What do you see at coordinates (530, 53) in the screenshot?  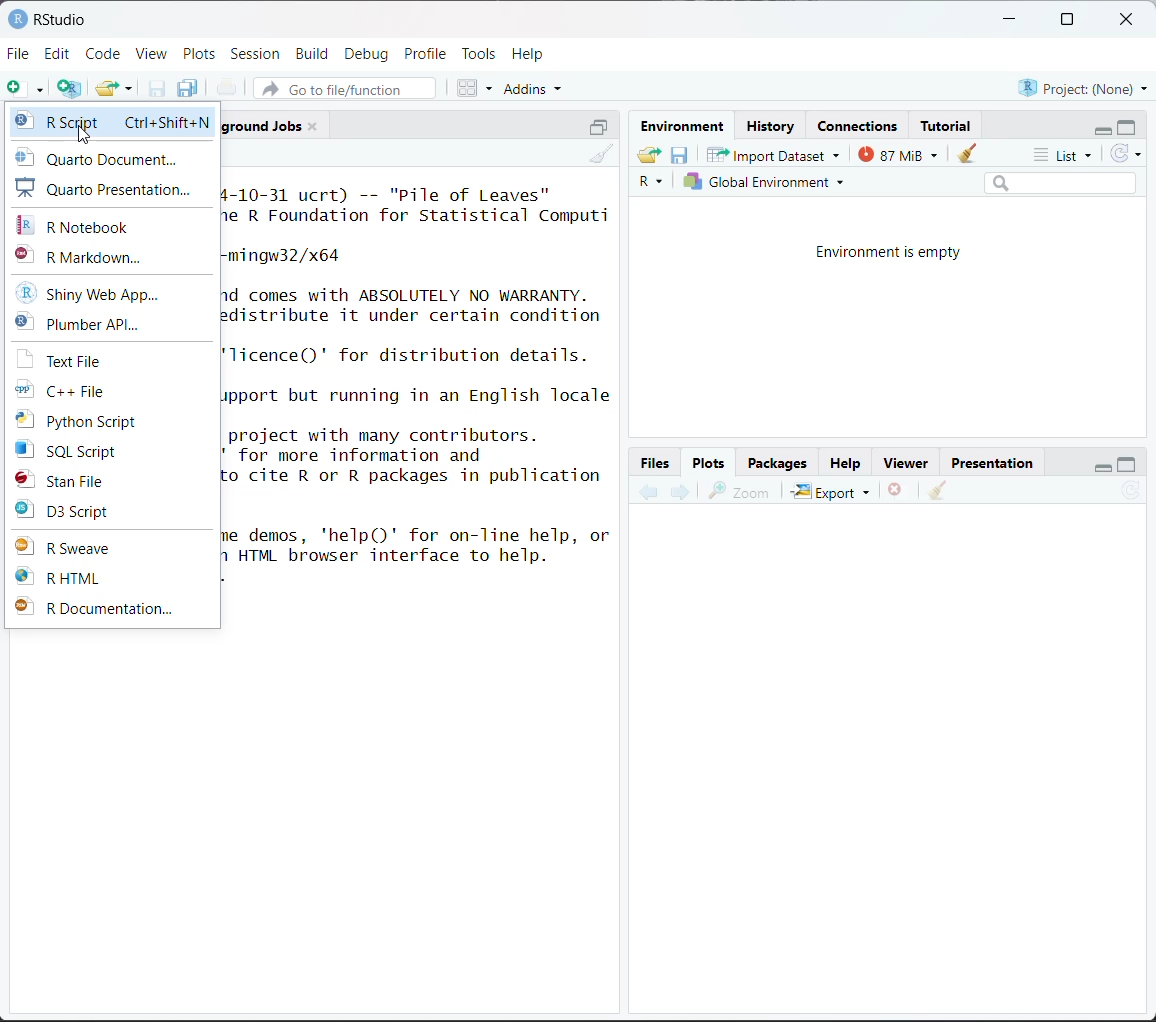 I see `Help` at bounding box center [530, 53].